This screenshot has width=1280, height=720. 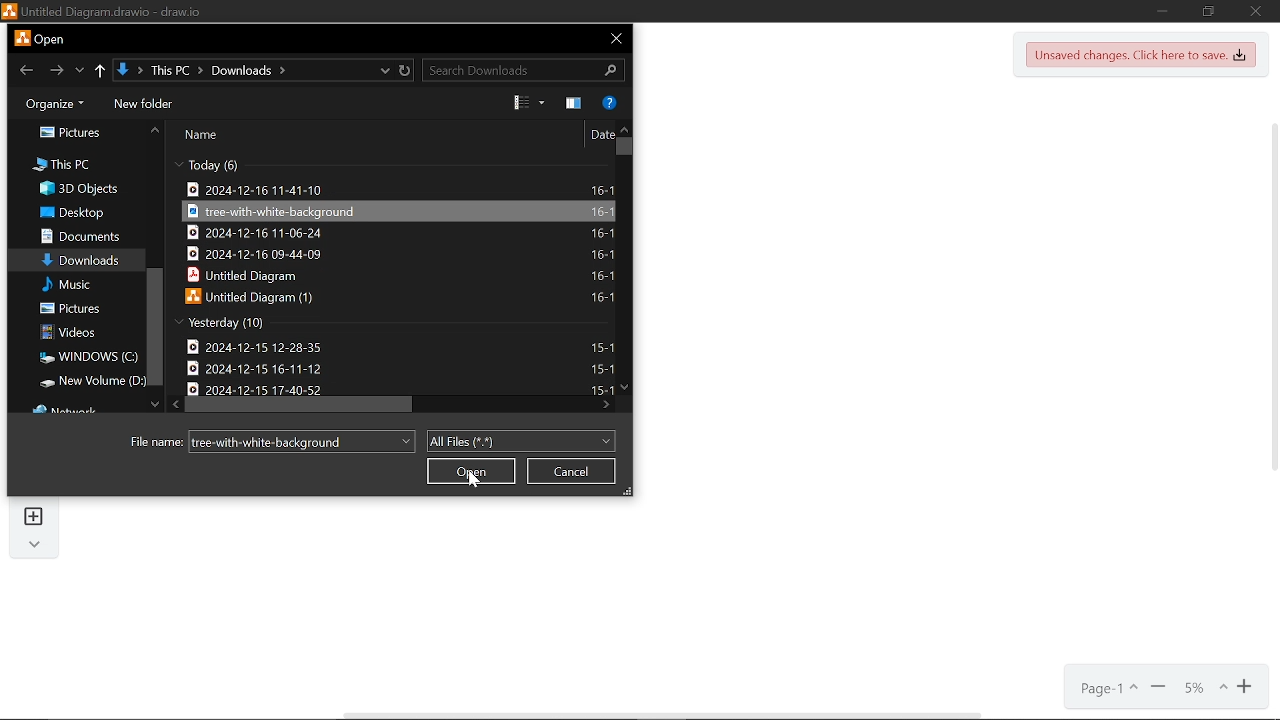 I want to click on number of files created , so click(x=230, y=167).